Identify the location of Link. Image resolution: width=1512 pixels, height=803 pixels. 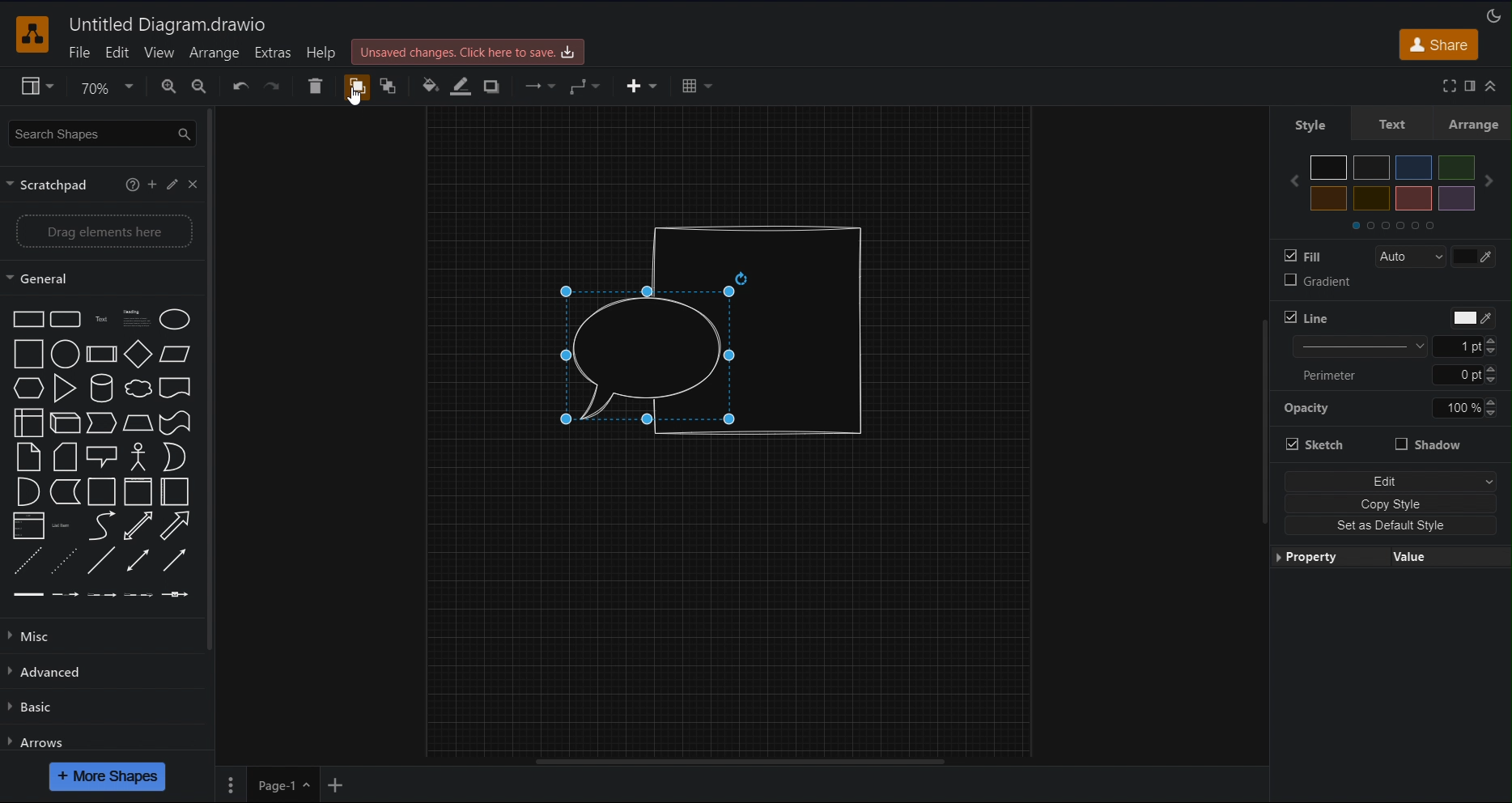
(28, 595).